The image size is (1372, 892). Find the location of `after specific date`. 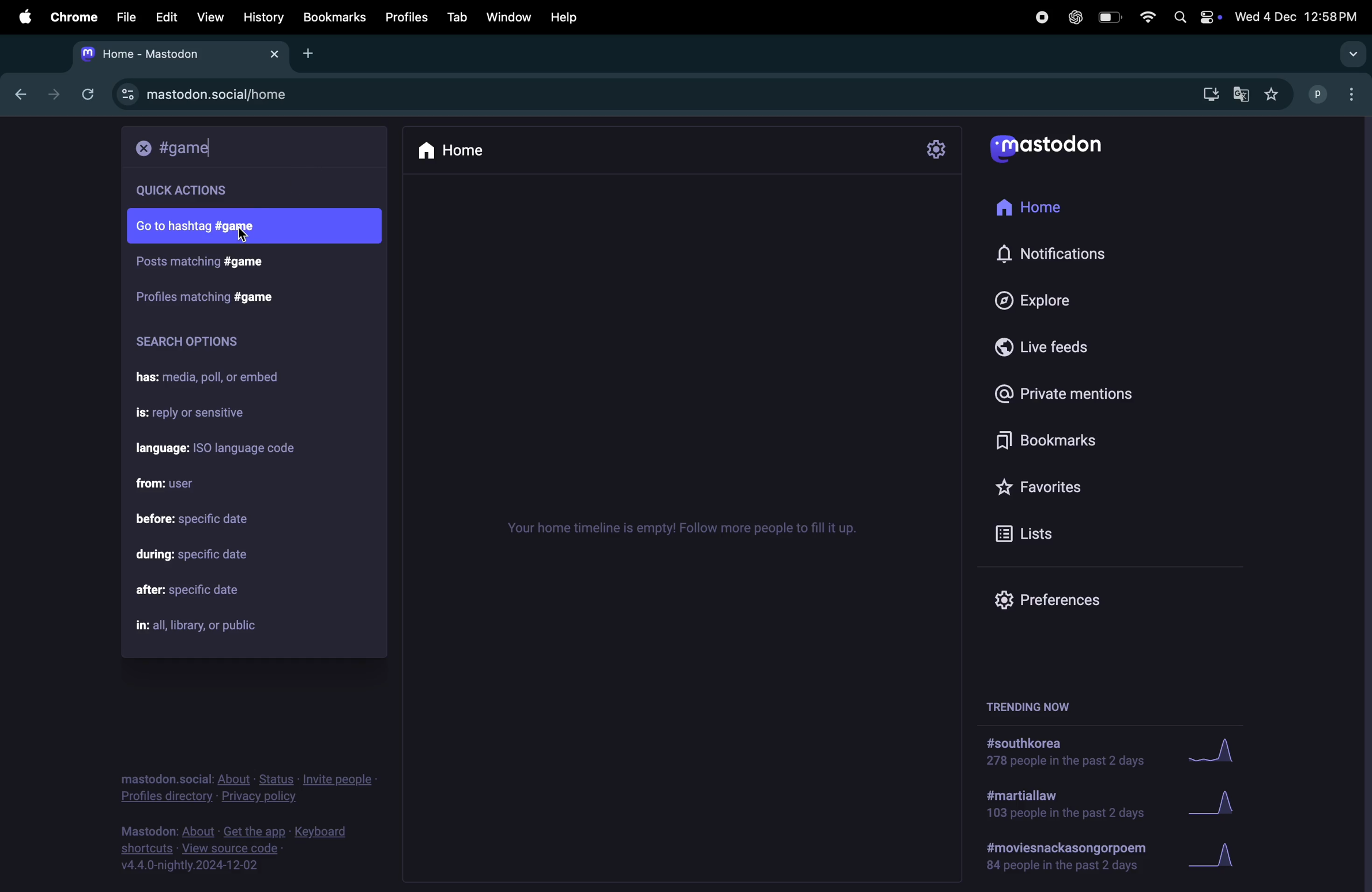

after specific date is located at coordinates (206, 592).